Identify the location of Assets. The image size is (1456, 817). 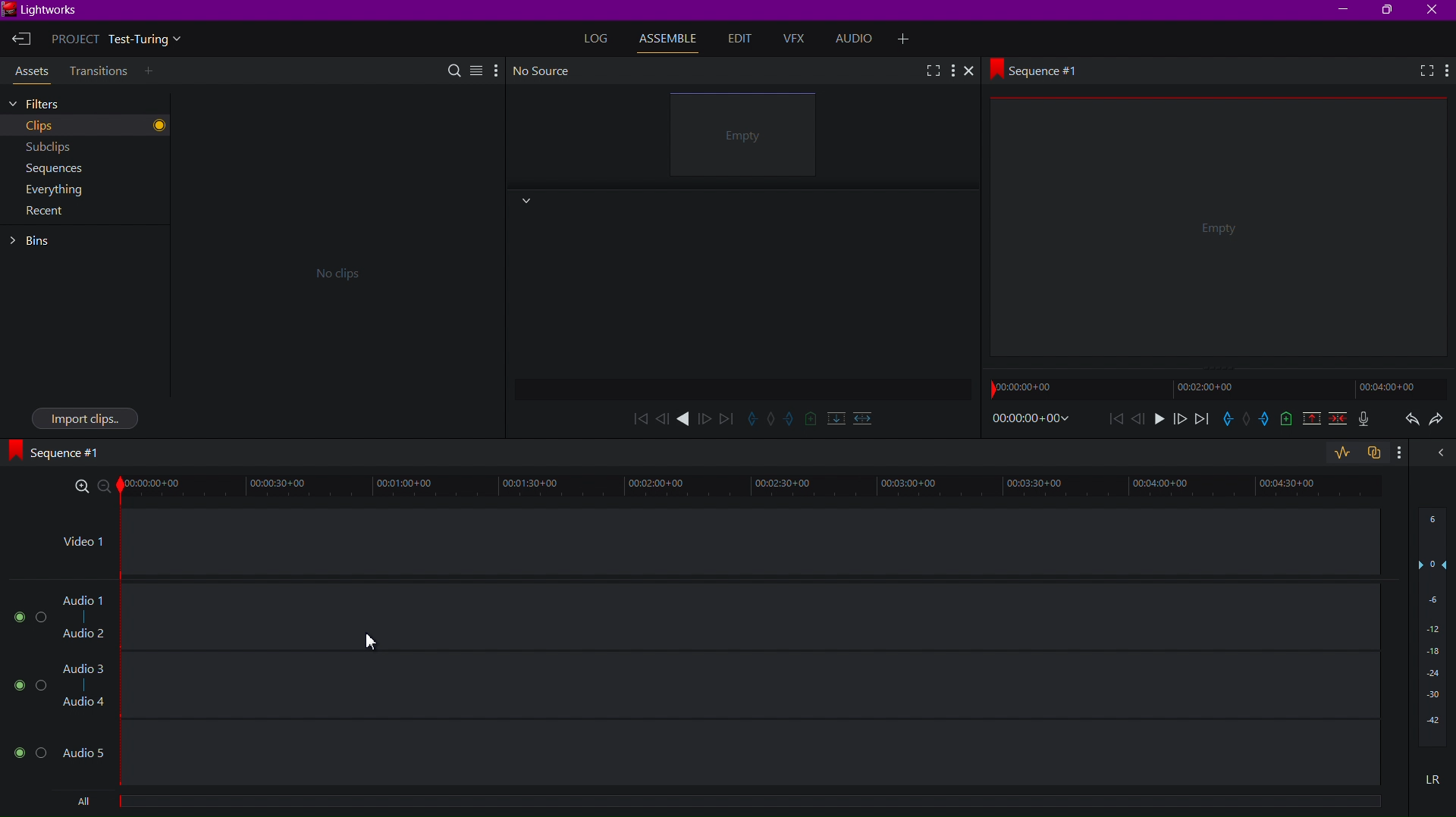
(29, 74).